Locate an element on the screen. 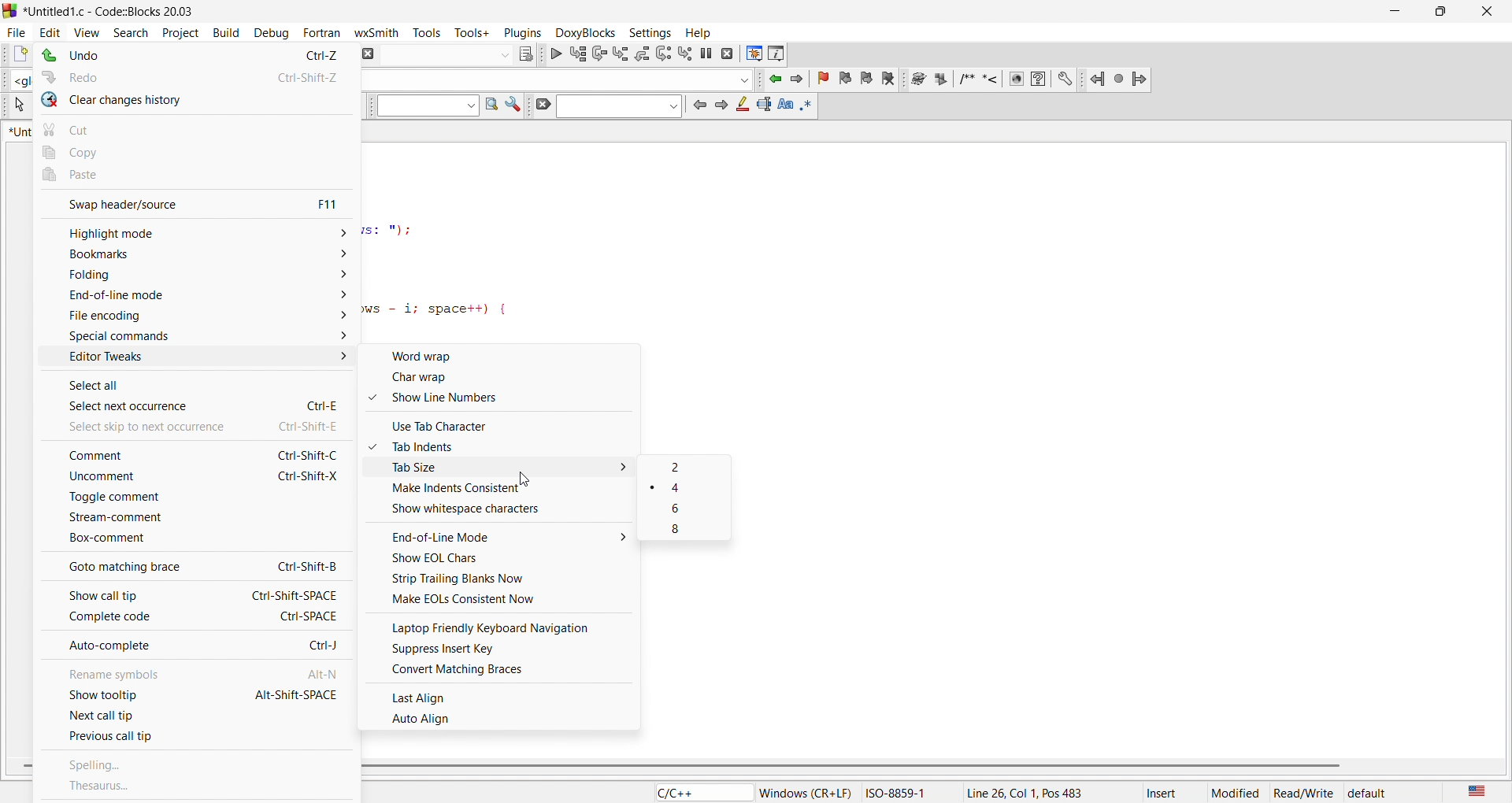 Image resolution: width=1512 pixels, height=803 pixels. docxy blocks is located at coordinates (995, 83).